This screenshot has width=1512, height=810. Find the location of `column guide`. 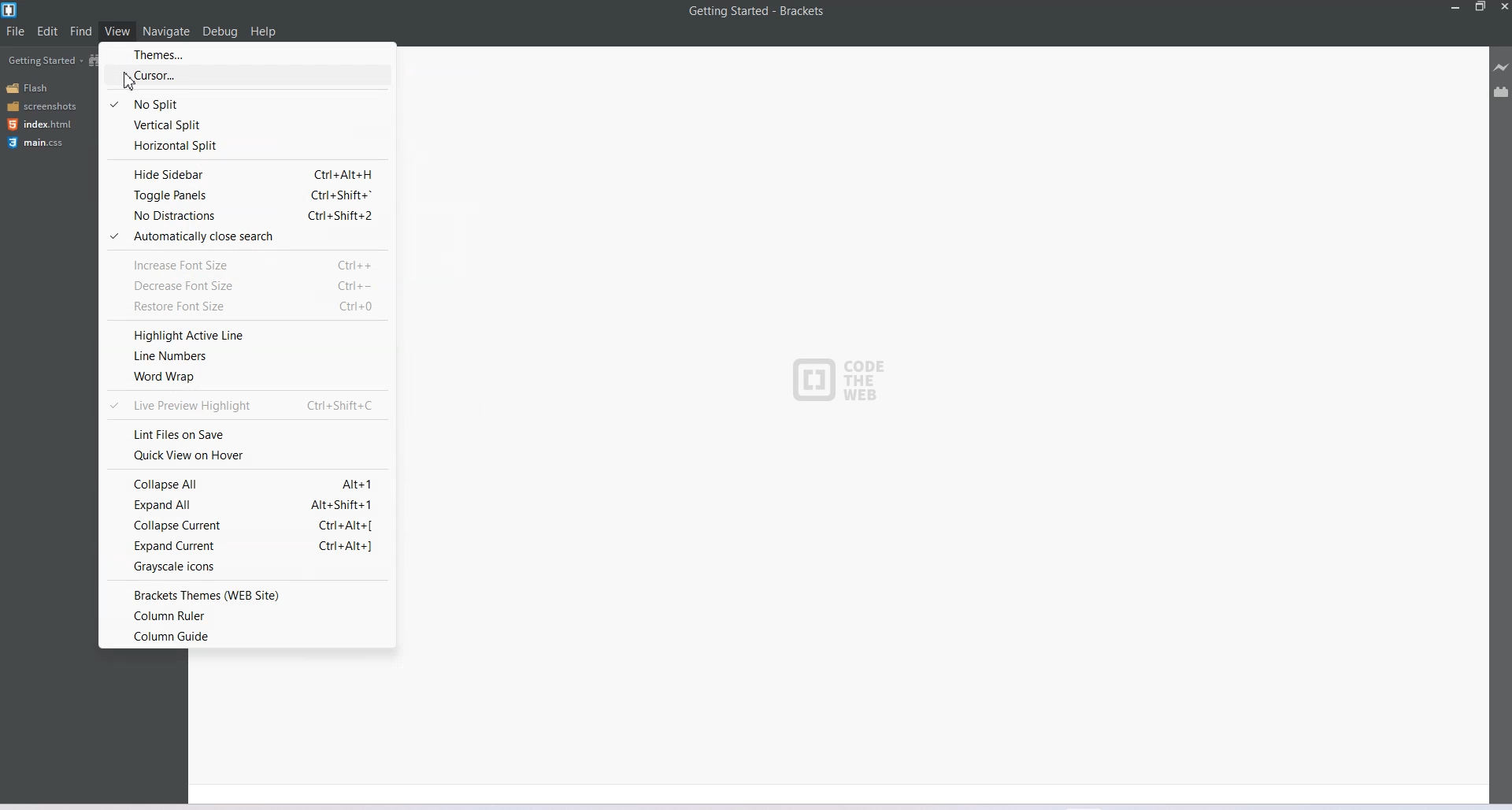

column guide is located at coordinates (247, 637).